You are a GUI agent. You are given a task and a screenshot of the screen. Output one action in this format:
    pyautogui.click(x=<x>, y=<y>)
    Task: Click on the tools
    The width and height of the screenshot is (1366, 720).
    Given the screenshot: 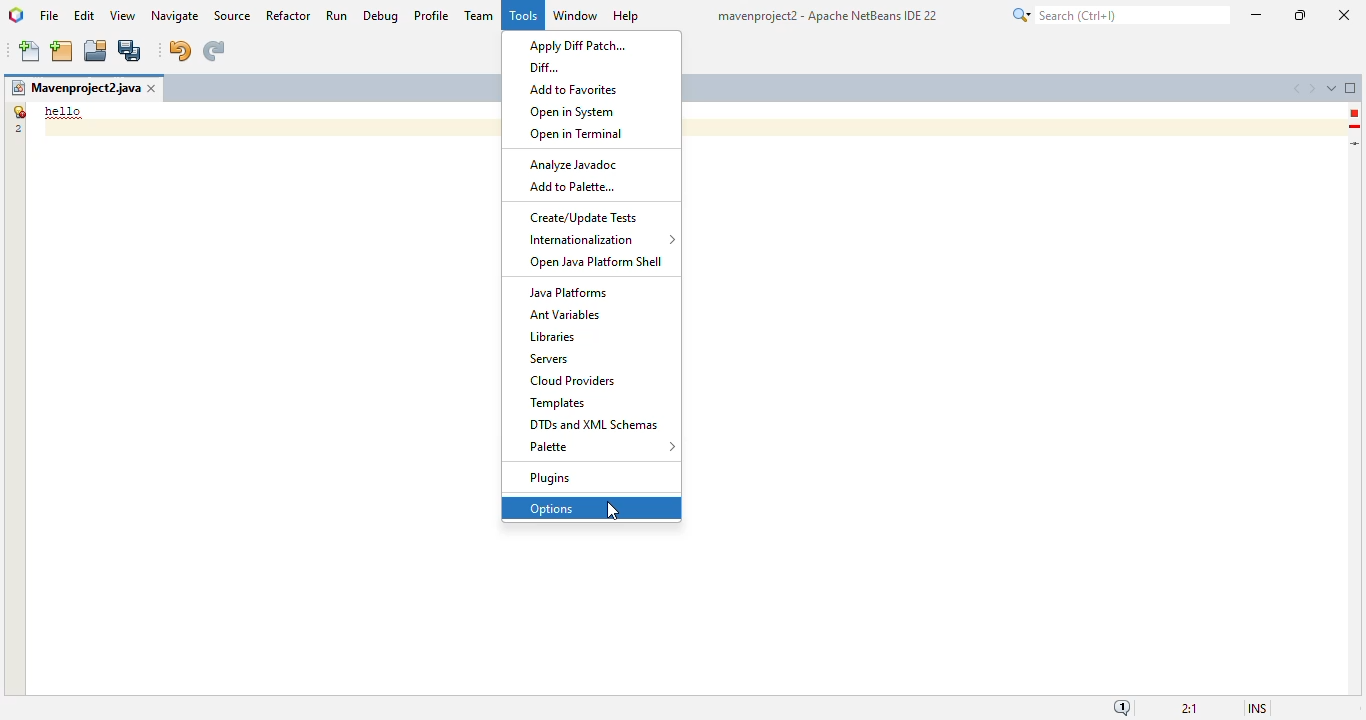 What is the action you would take?
    pyautogui.click(x=523, y=15)
    